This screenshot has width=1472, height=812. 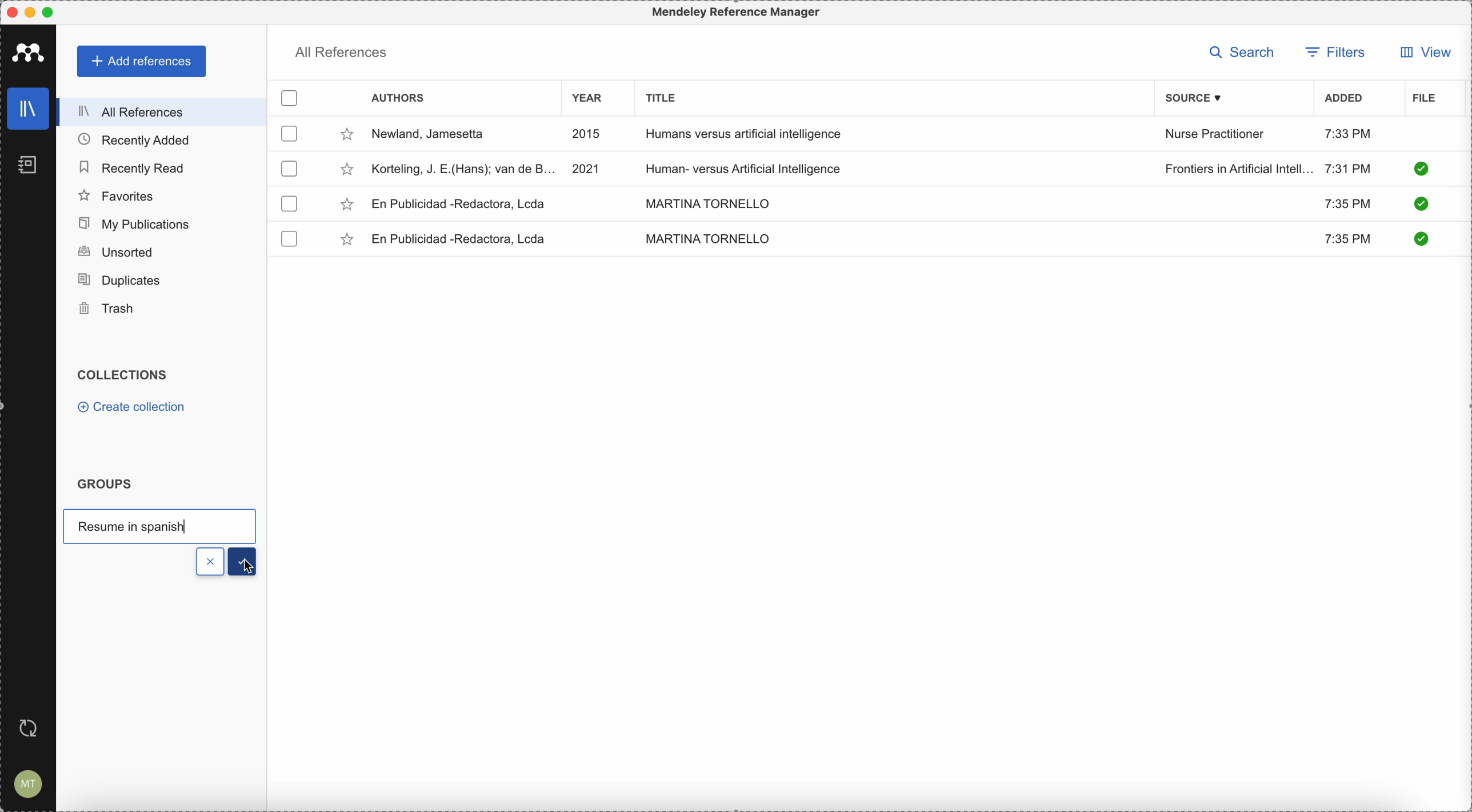 What do you see at coordinates (131, 166) in the screenshot?
I see `recently read` at bounding box center [131, 166].